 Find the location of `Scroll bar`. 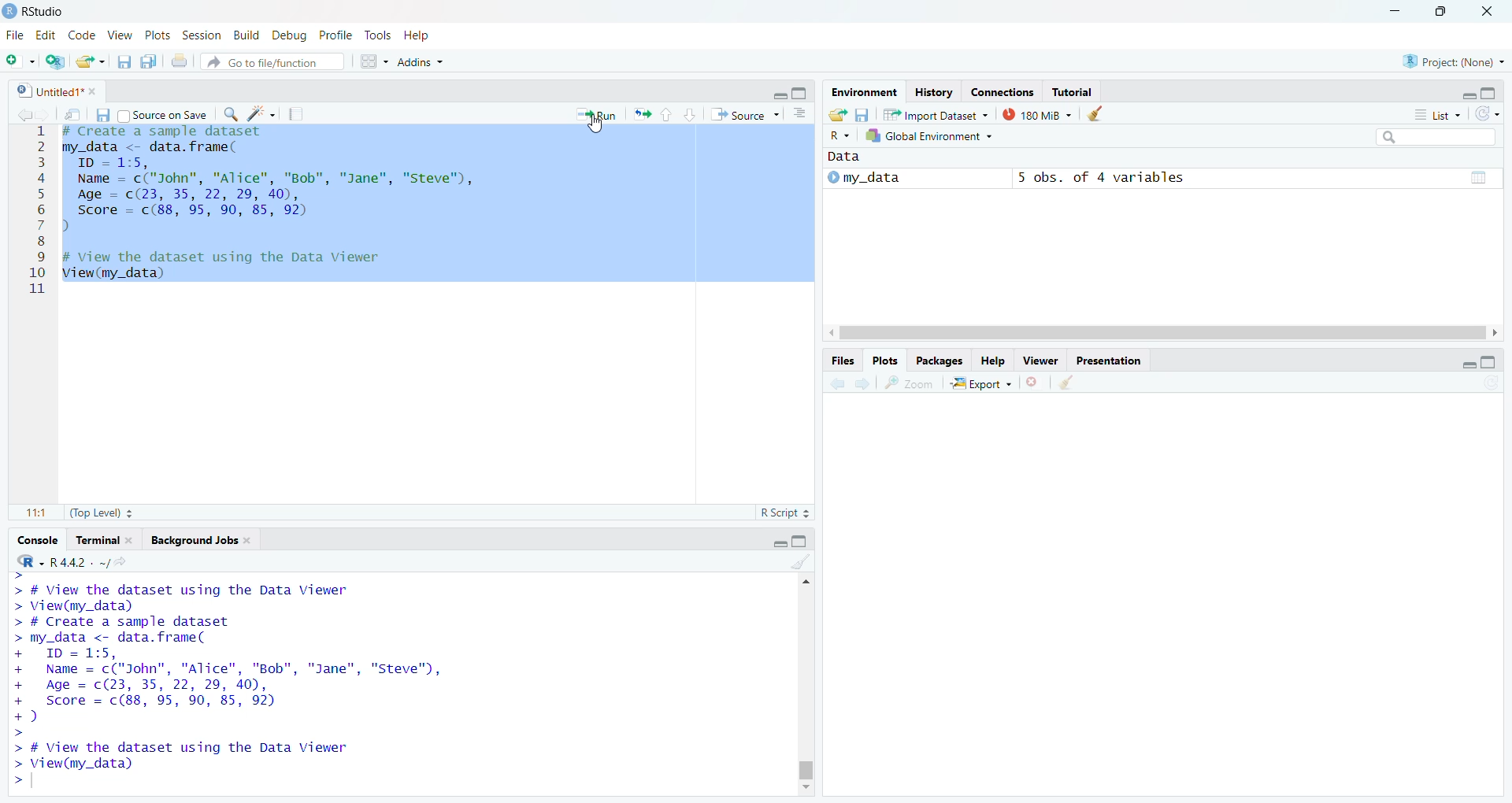

Scroll bar is located at coordinates (1165, 333).